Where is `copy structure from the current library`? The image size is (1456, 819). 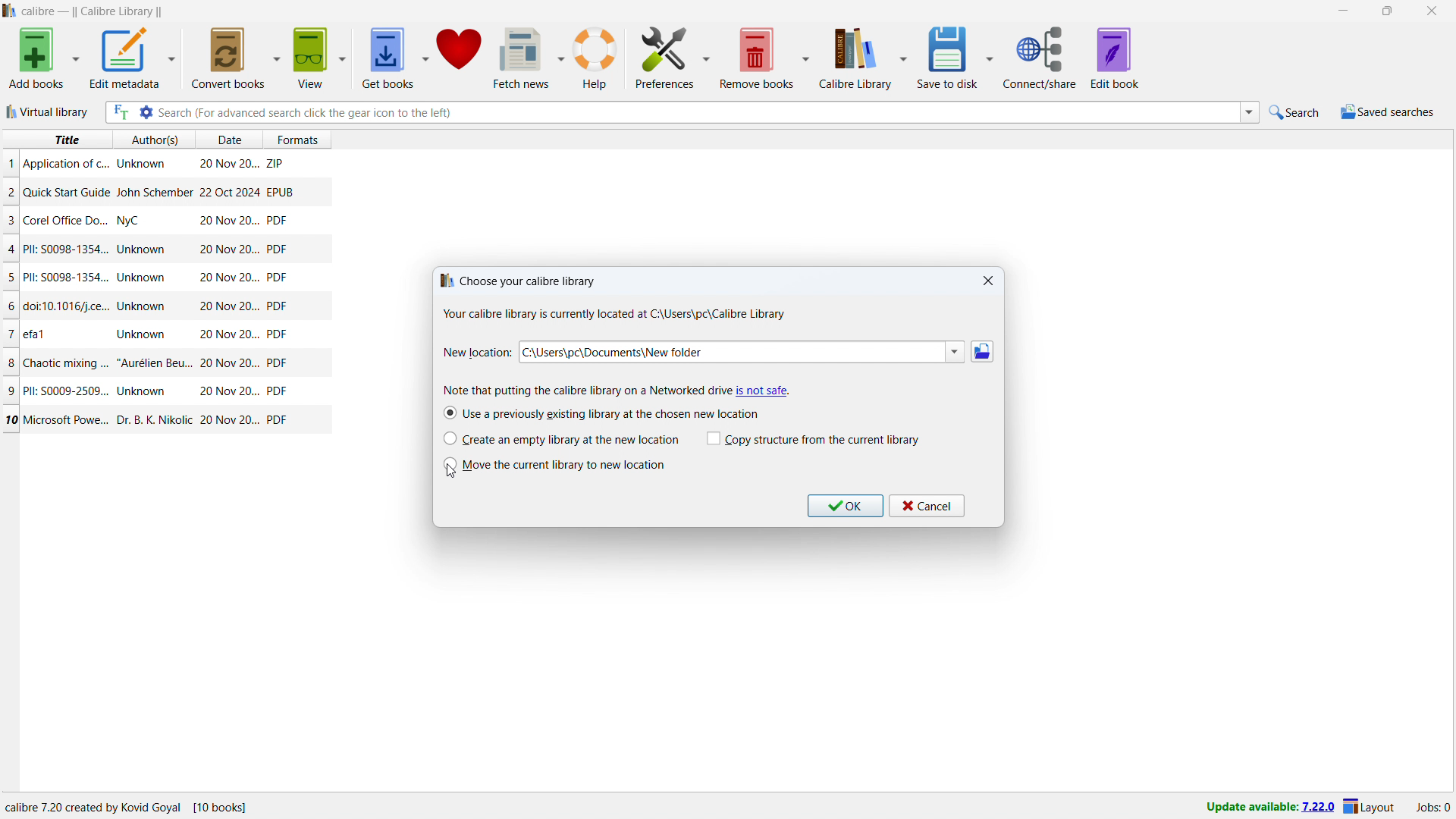 copy structure from the current library is located at coordinates (814, 439).